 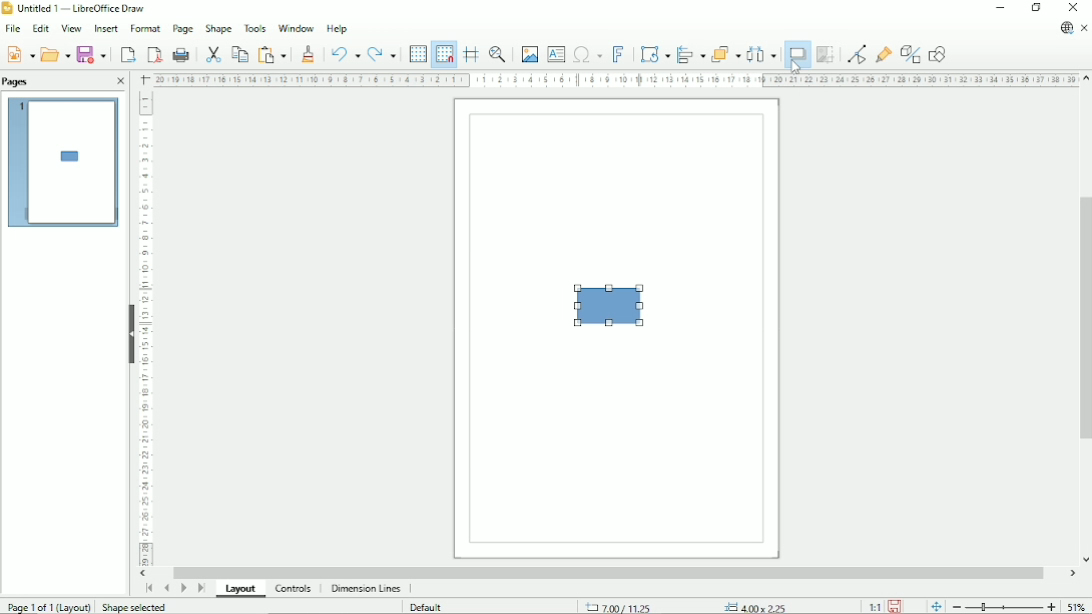 What do you see at coordinates (938, 53) in the screenshot?
I see `Show draw functions` at bounding box center [938, 53].